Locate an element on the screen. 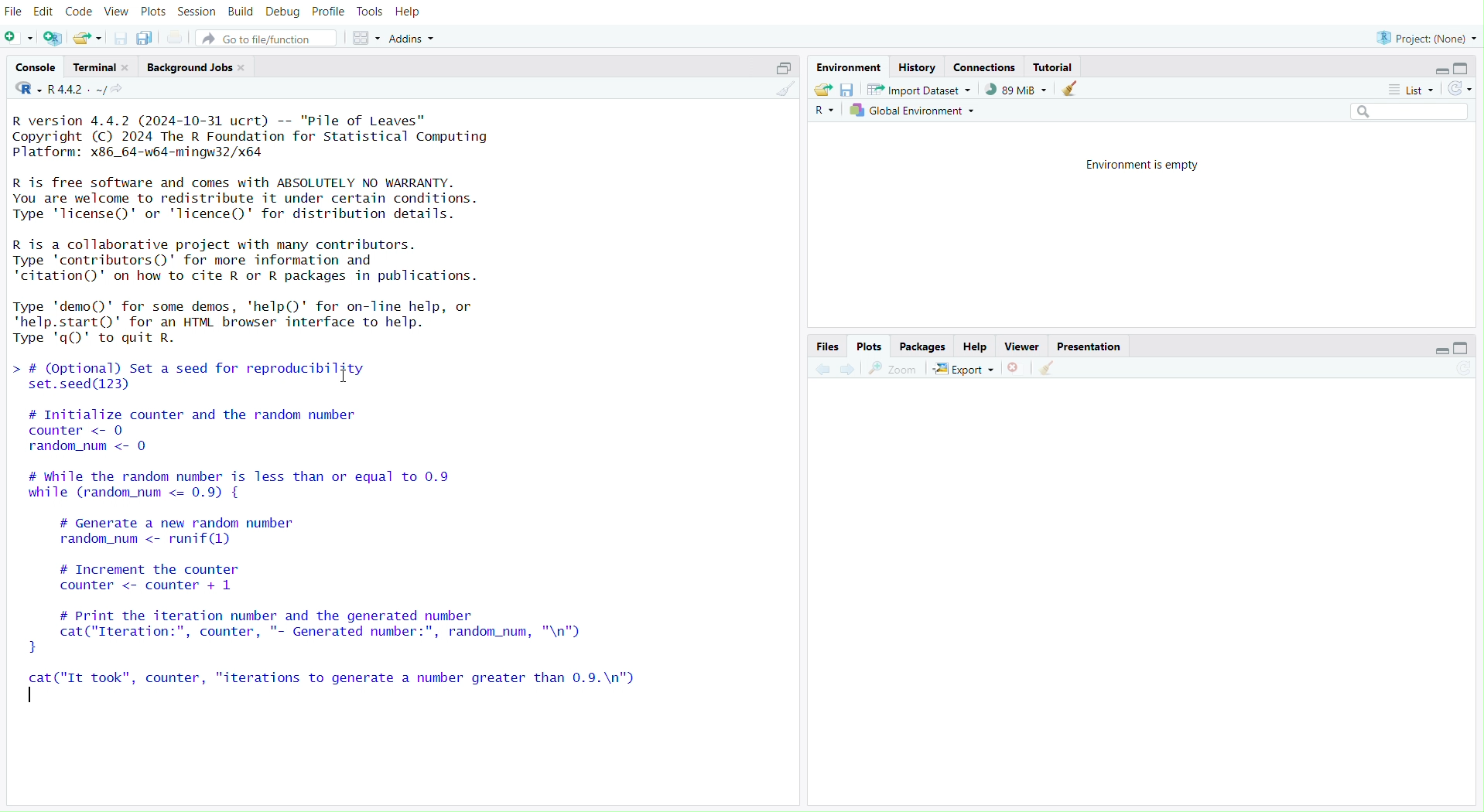  Clear console (Ctrl + L) is located at coordinates (1072, 87).